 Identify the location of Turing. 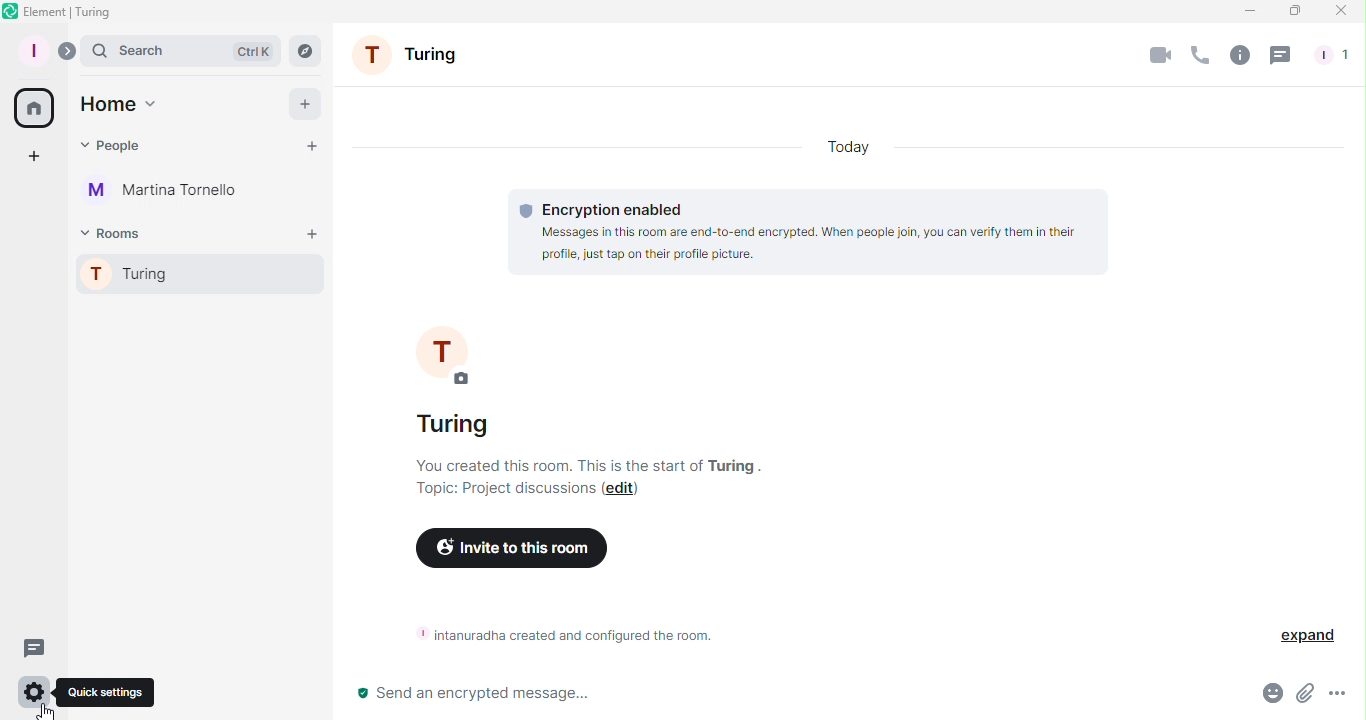
(451, 425).